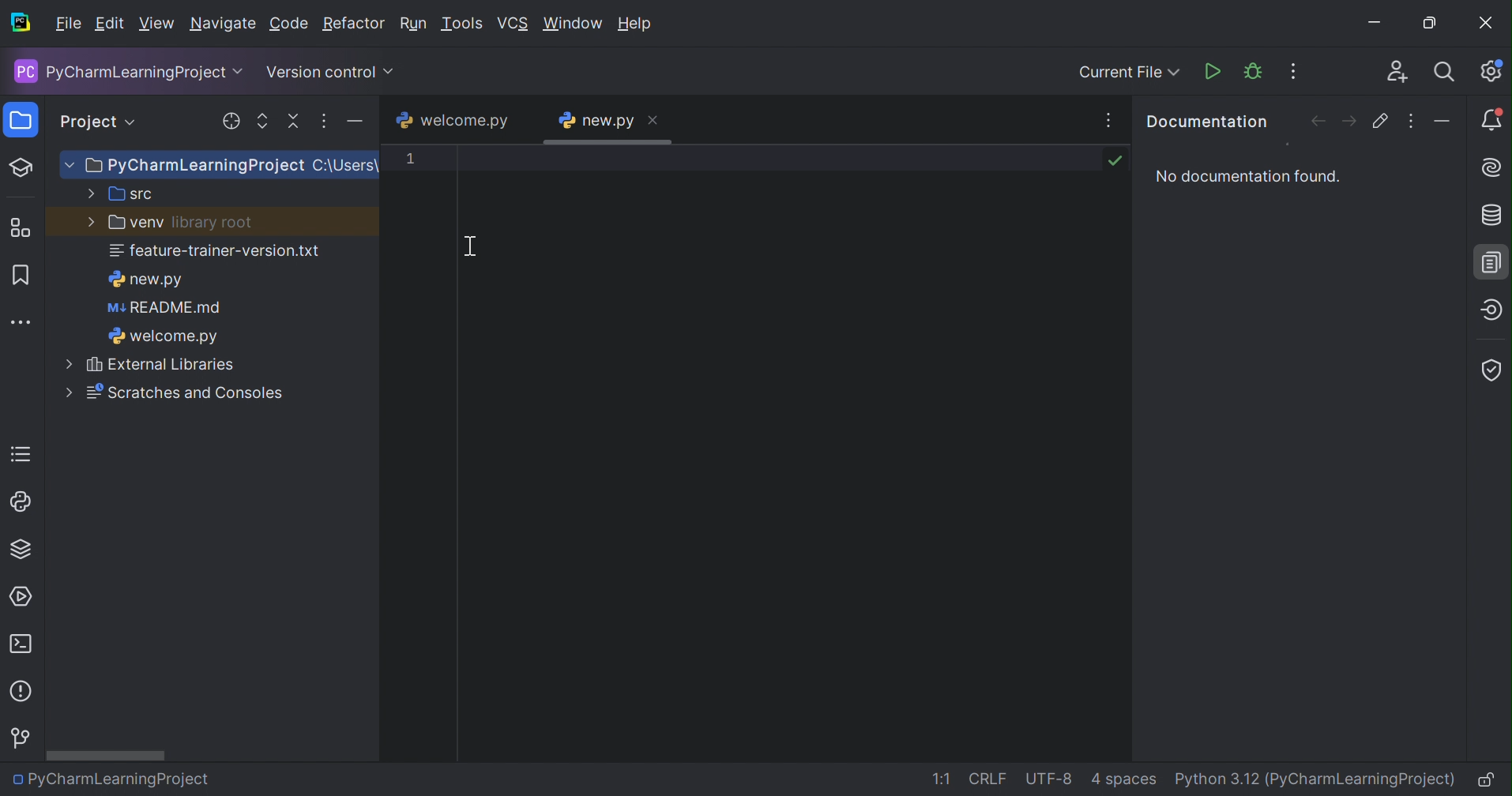 This screenshot has width=1512, height=796. I want to click on new.py, so click(596, 120).